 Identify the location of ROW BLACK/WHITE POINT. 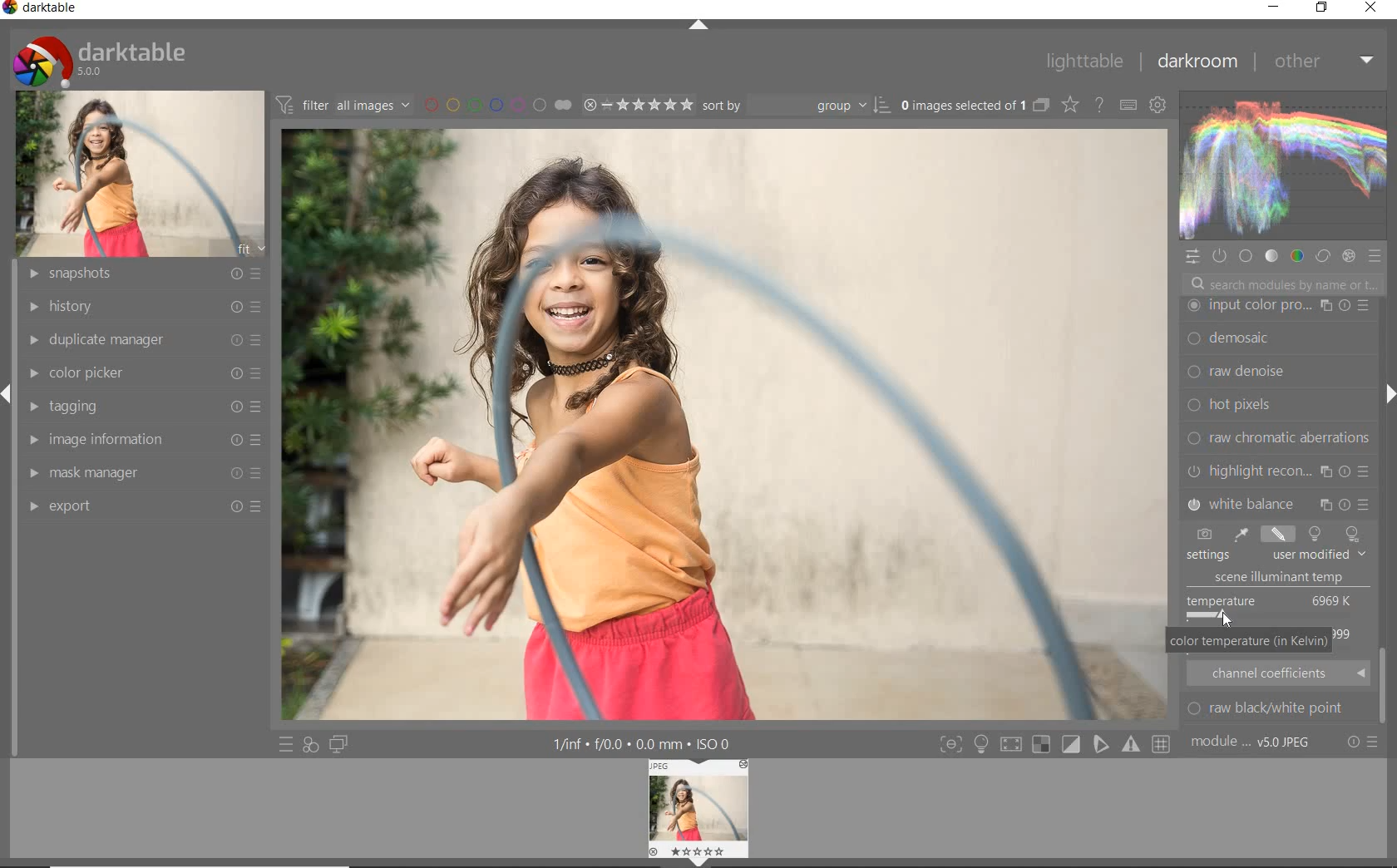
(1276, 708).